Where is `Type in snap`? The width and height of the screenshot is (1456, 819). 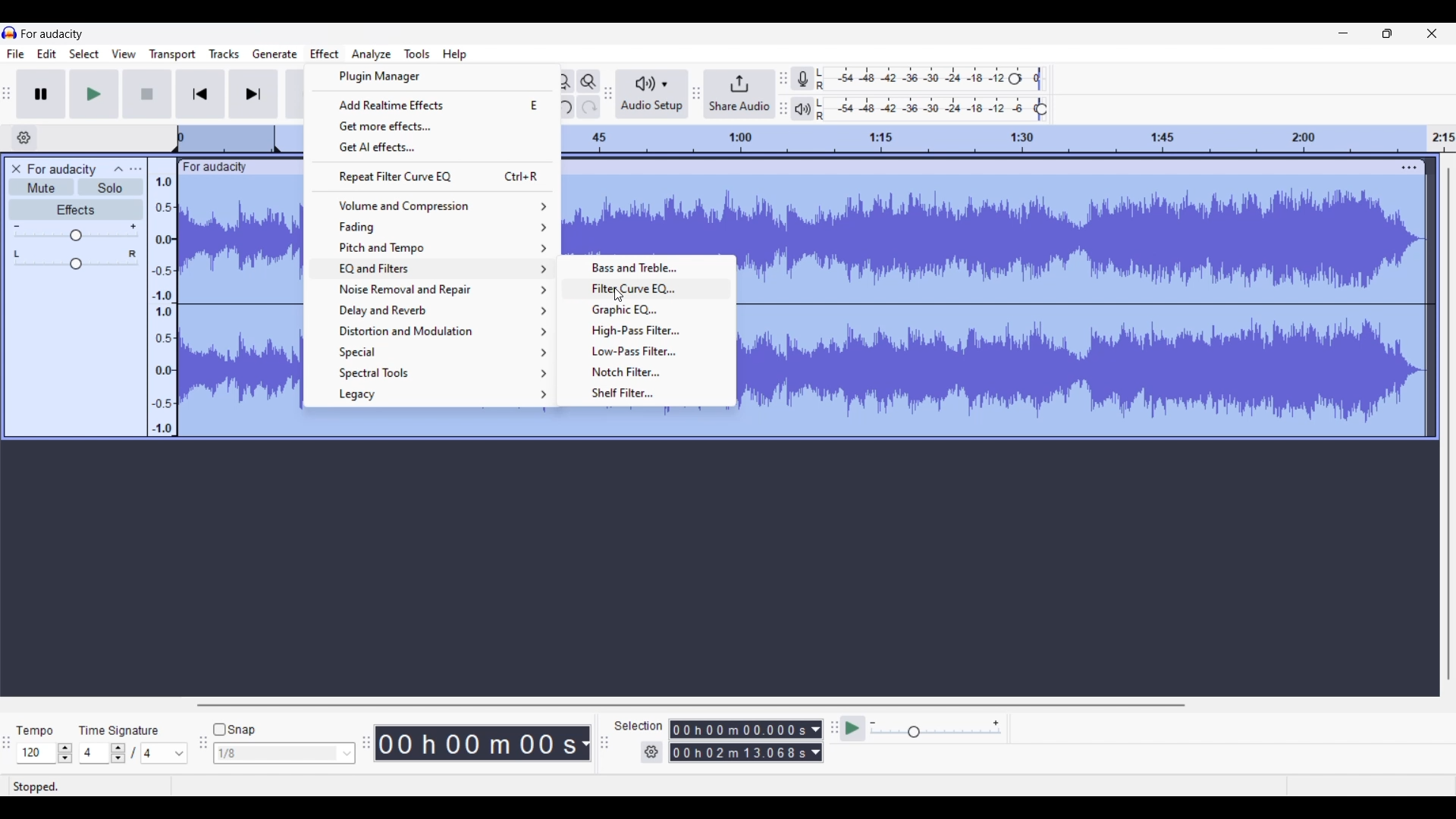
Type in snap is located at coordinates (277, 754).